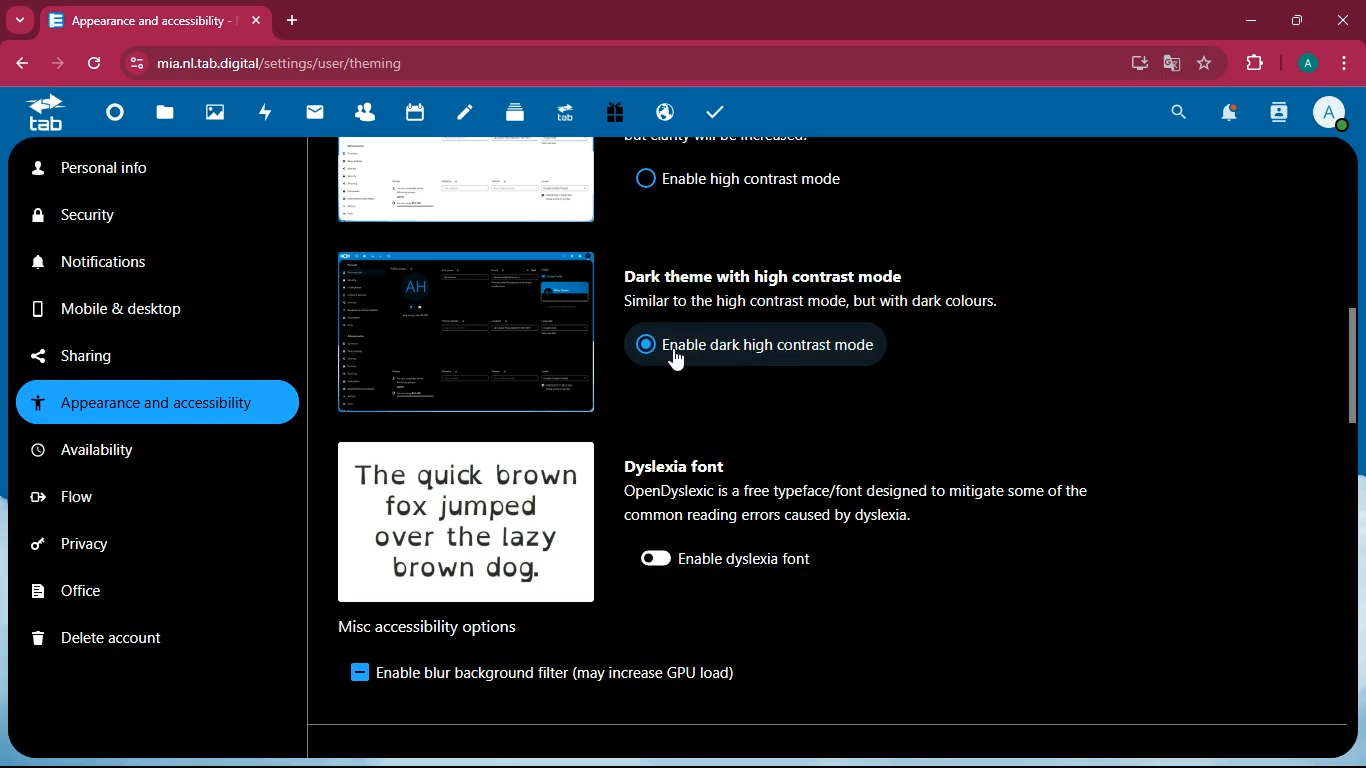 The width and height of the screenshot is (1366, 768). What do you see at coordinates (167, 115) in the screenshot?
I see `files` at bounding box center [167, 115].